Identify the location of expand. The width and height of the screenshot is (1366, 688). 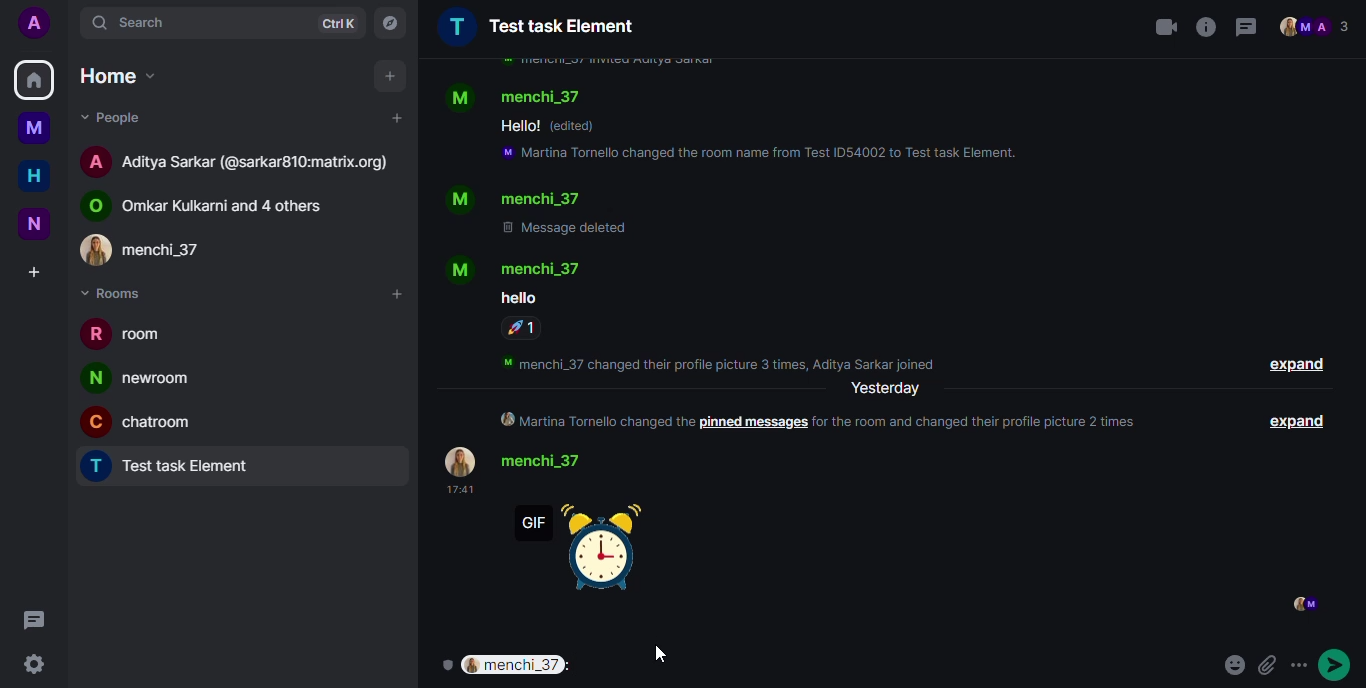
(1296, 366).